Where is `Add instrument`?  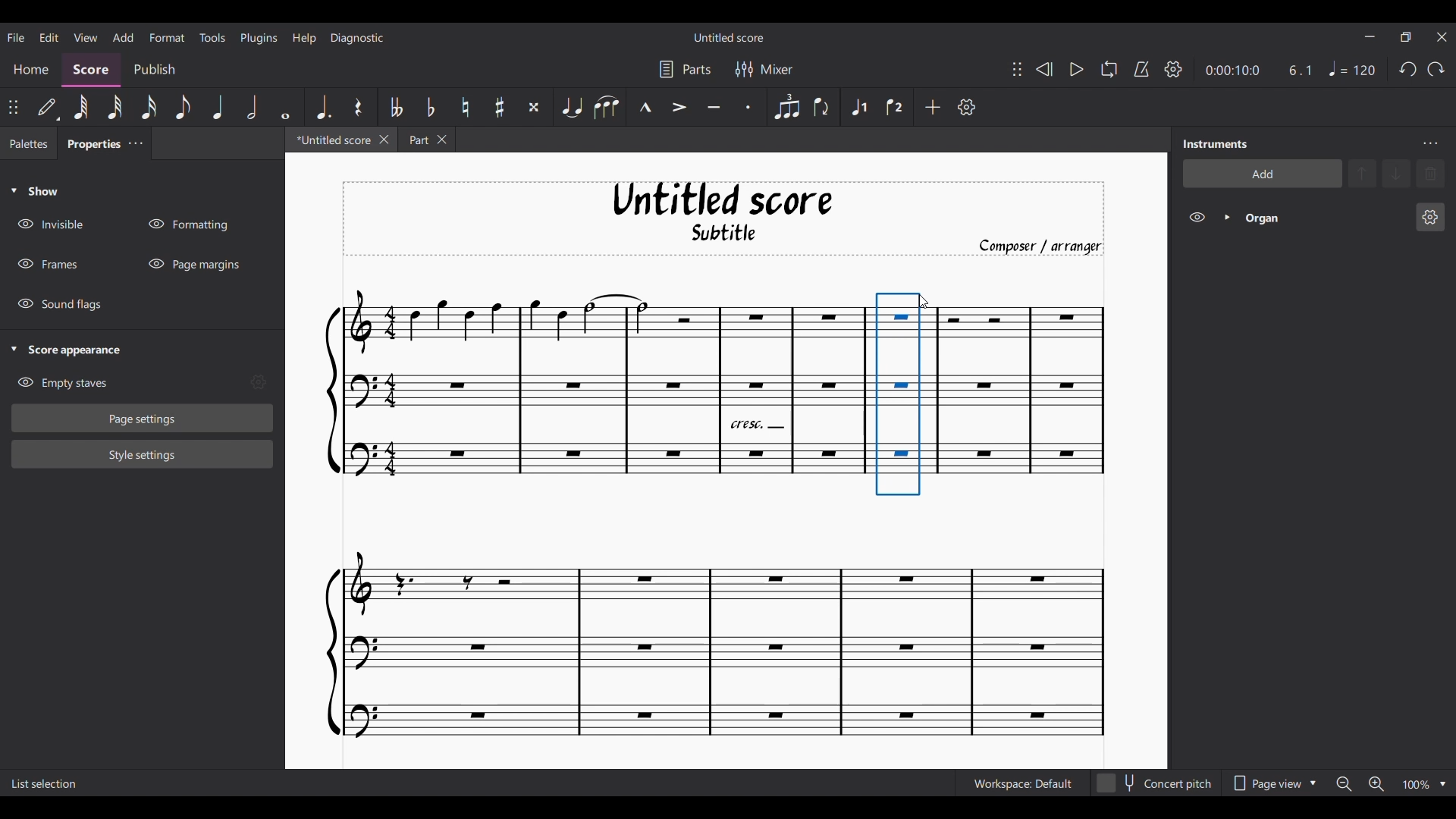
Add instrument is located at coordinates (1262, 173).